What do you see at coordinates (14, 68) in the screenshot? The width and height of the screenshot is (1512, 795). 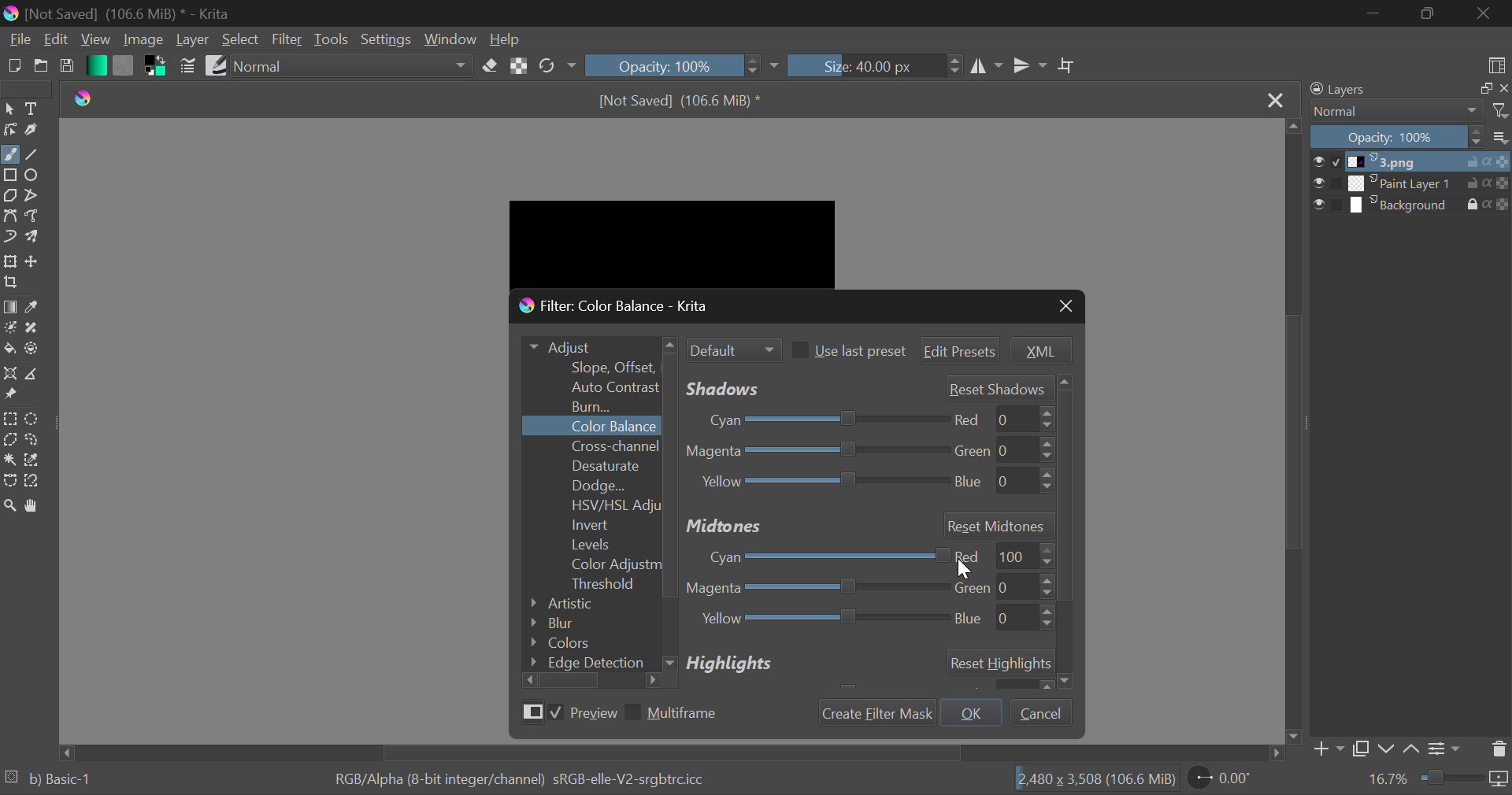 I see `New` at bounding box center [14, 68].